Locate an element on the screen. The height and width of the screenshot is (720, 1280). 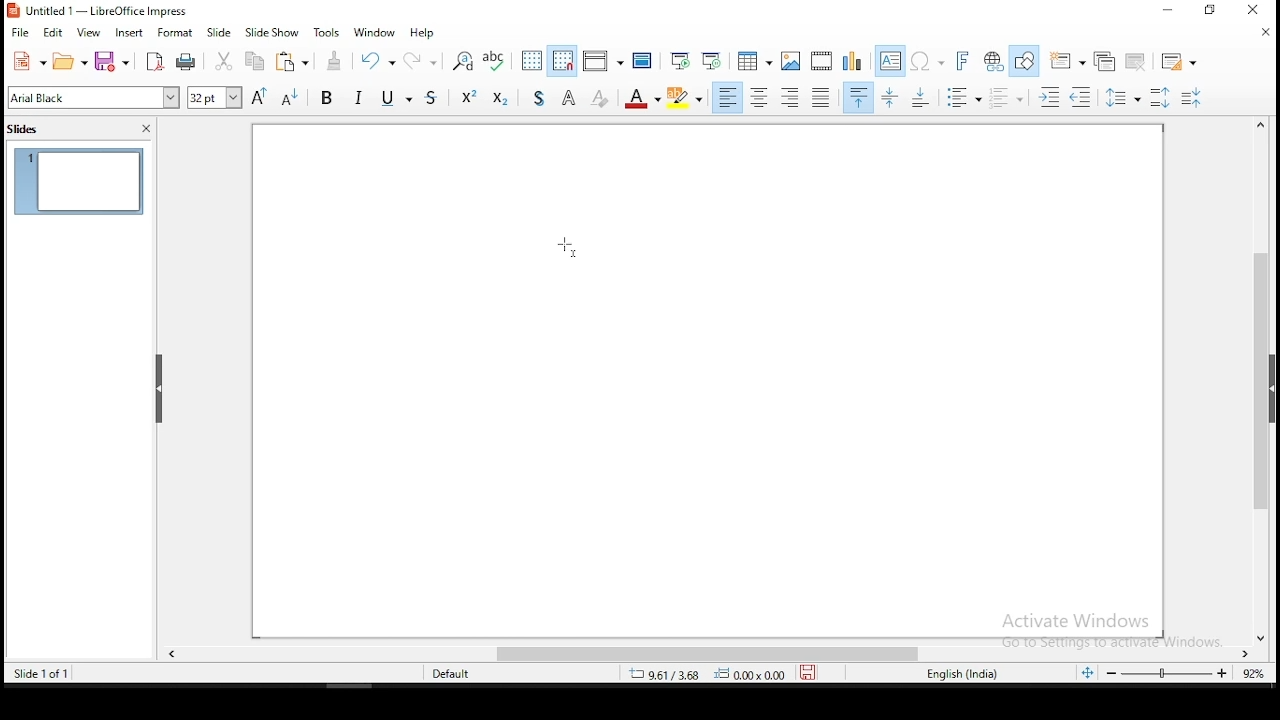
icon and file name is located at coordinates (106, 11).